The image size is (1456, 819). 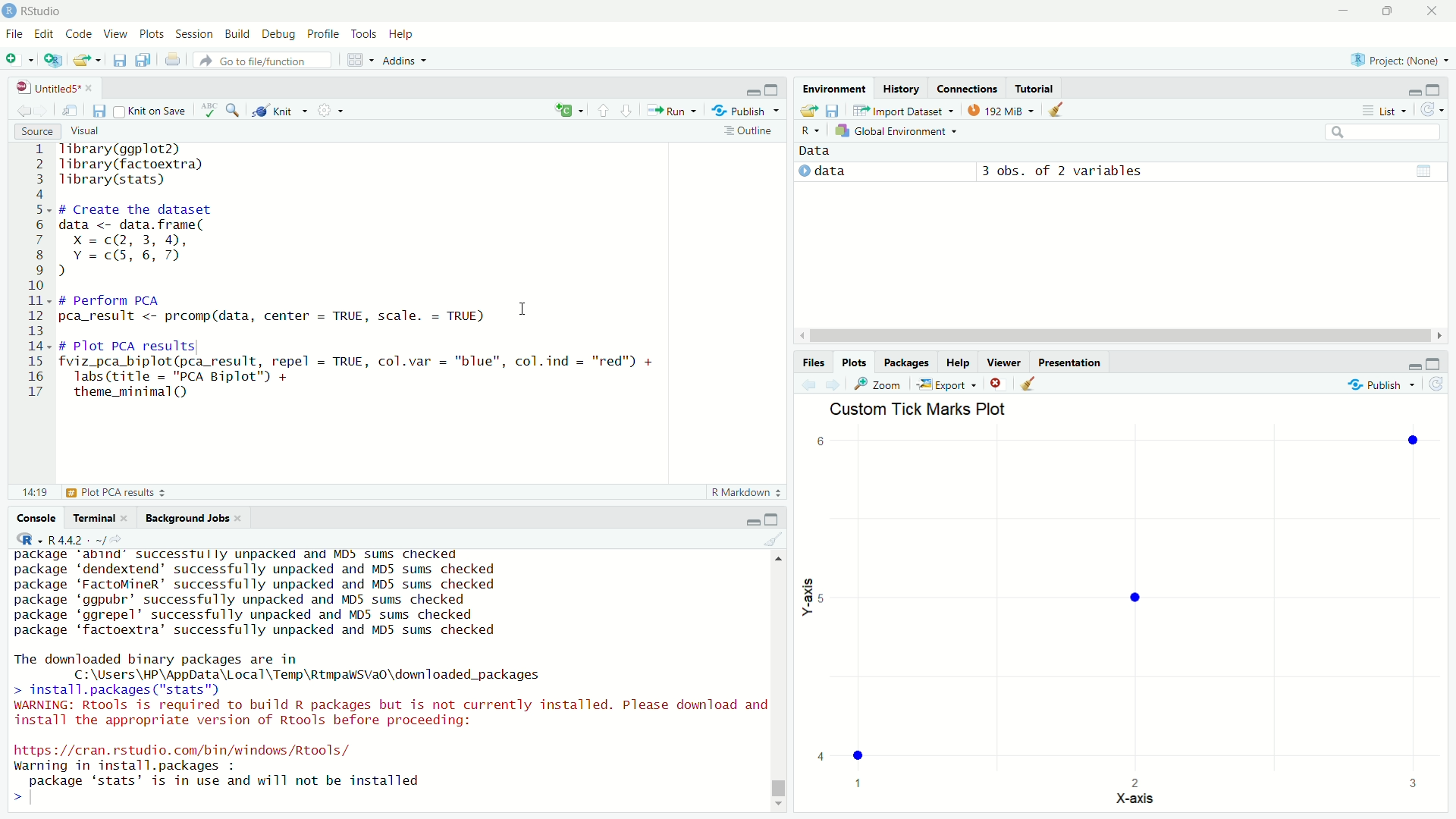 I want to click on settings, so click(x=328, y=108).